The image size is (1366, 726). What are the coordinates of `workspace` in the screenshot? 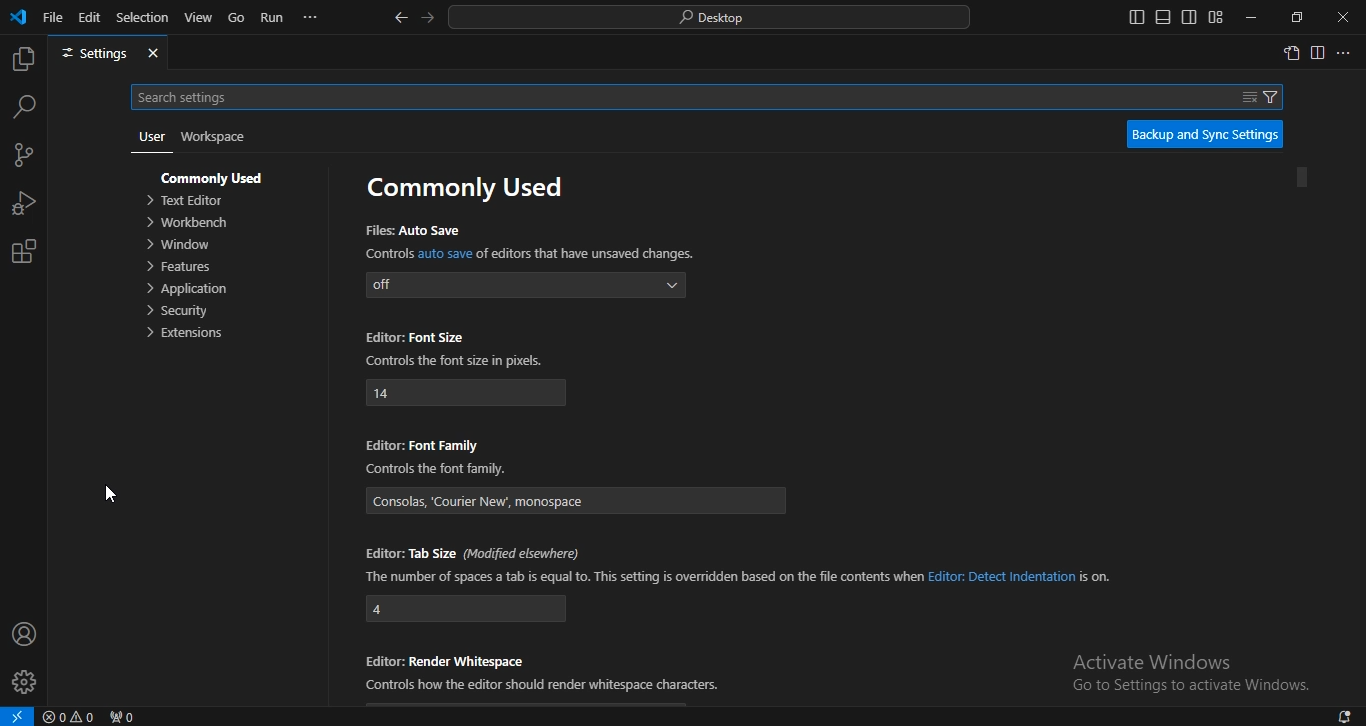 It's located at (218, 135).